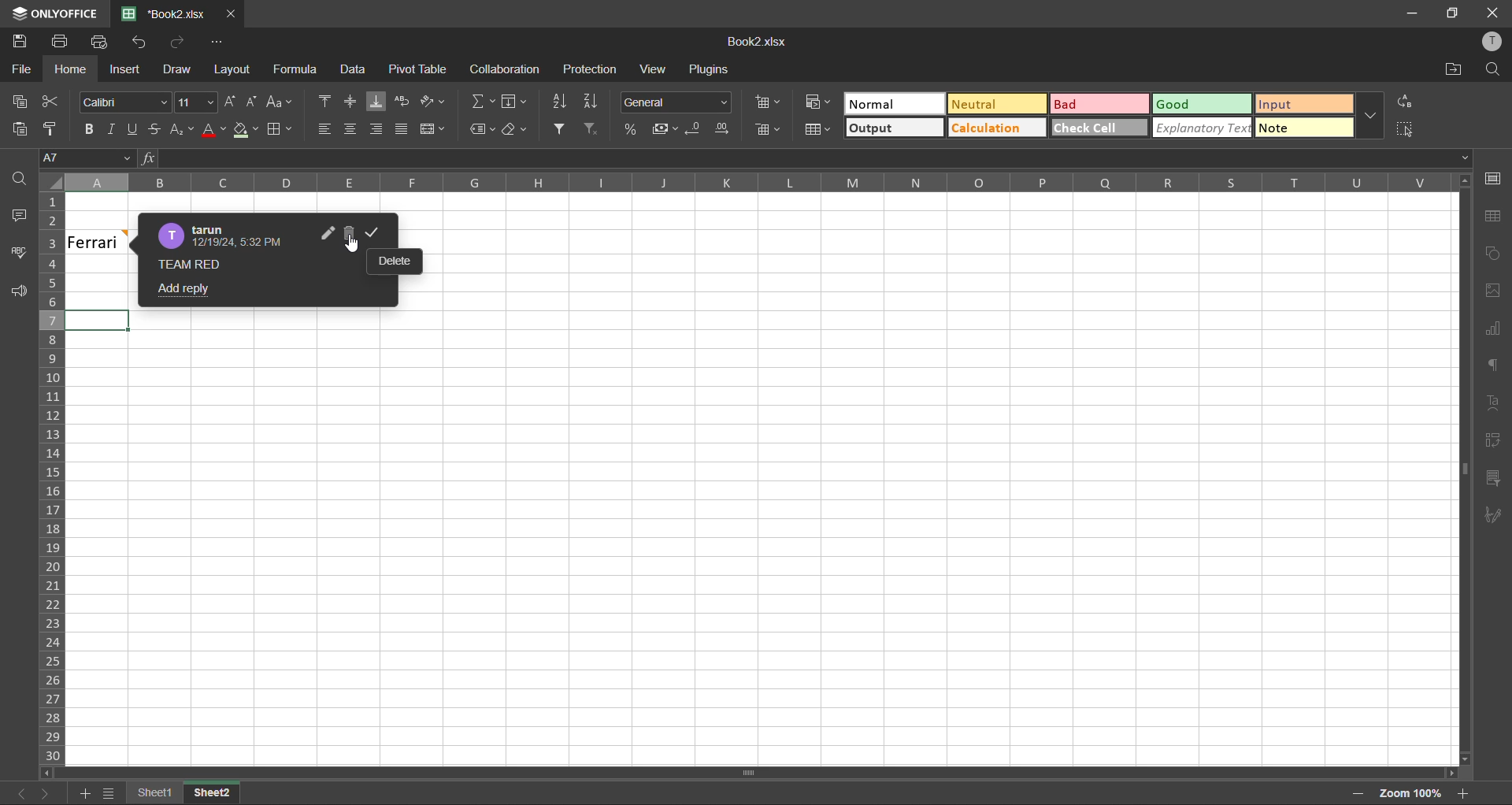 The image size is (1512, 805). What do you see at coordinates (1205, 128) in the screenshot?
I see `explanatory text` at bounding box center [1205, 128].